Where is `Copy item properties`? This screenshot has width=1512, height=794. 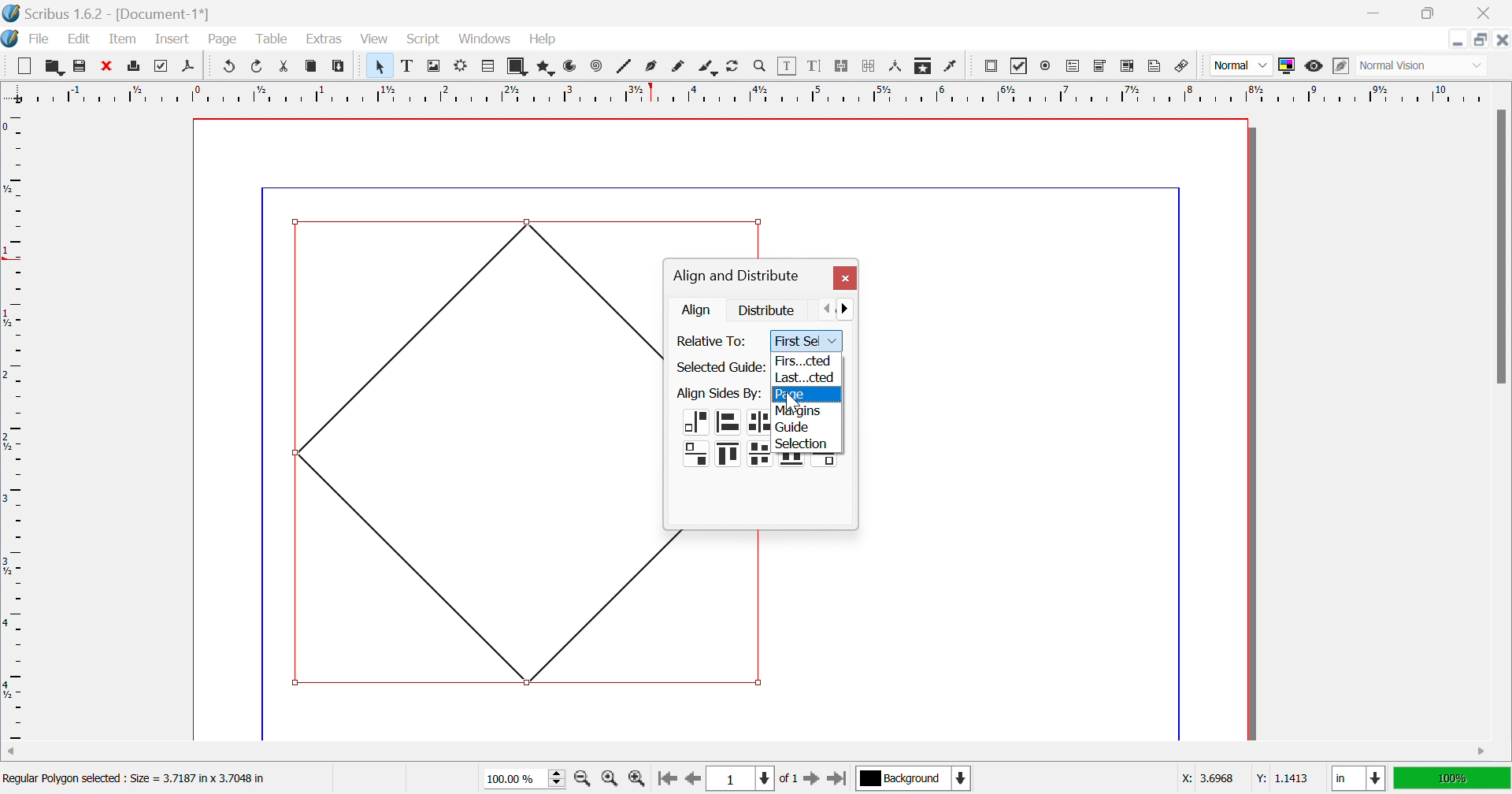
Copy item properties is located at coordinates (921, 67).